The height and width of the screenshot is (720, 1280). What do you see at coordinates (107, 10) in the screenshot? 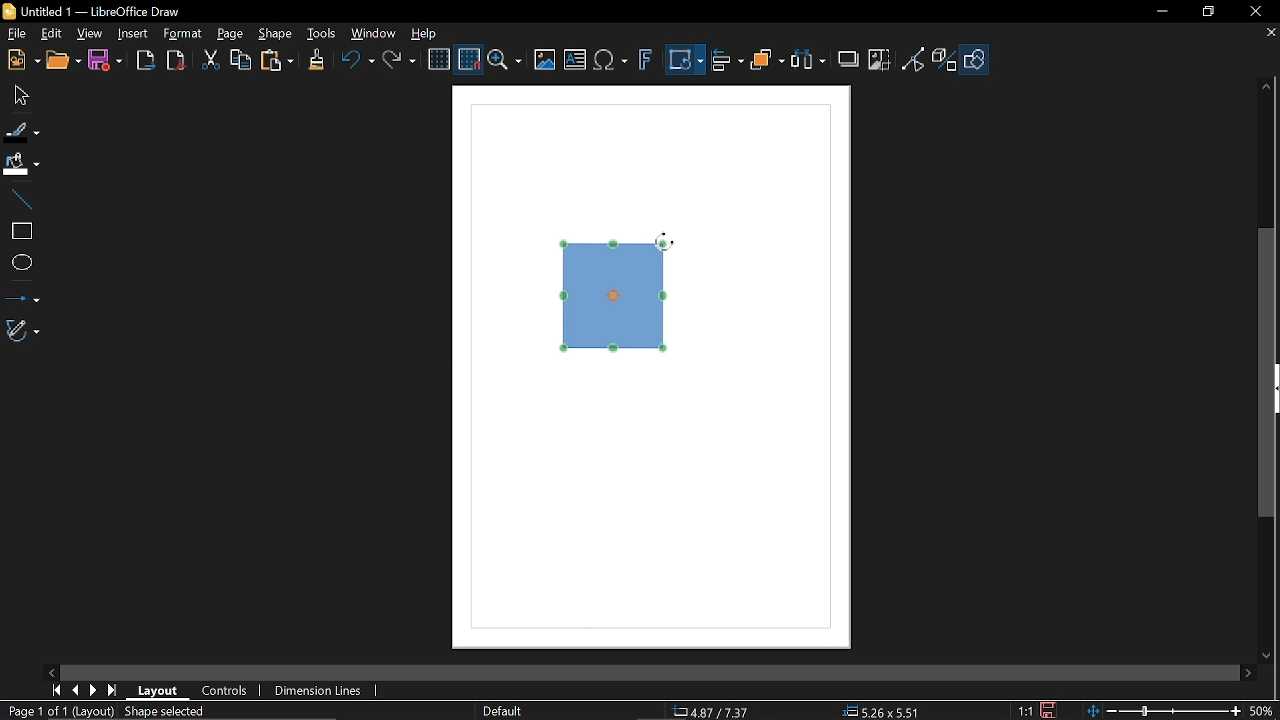
I see `Untitled 1 -- LibreOffice Draw` at bounding box center [107, 10].